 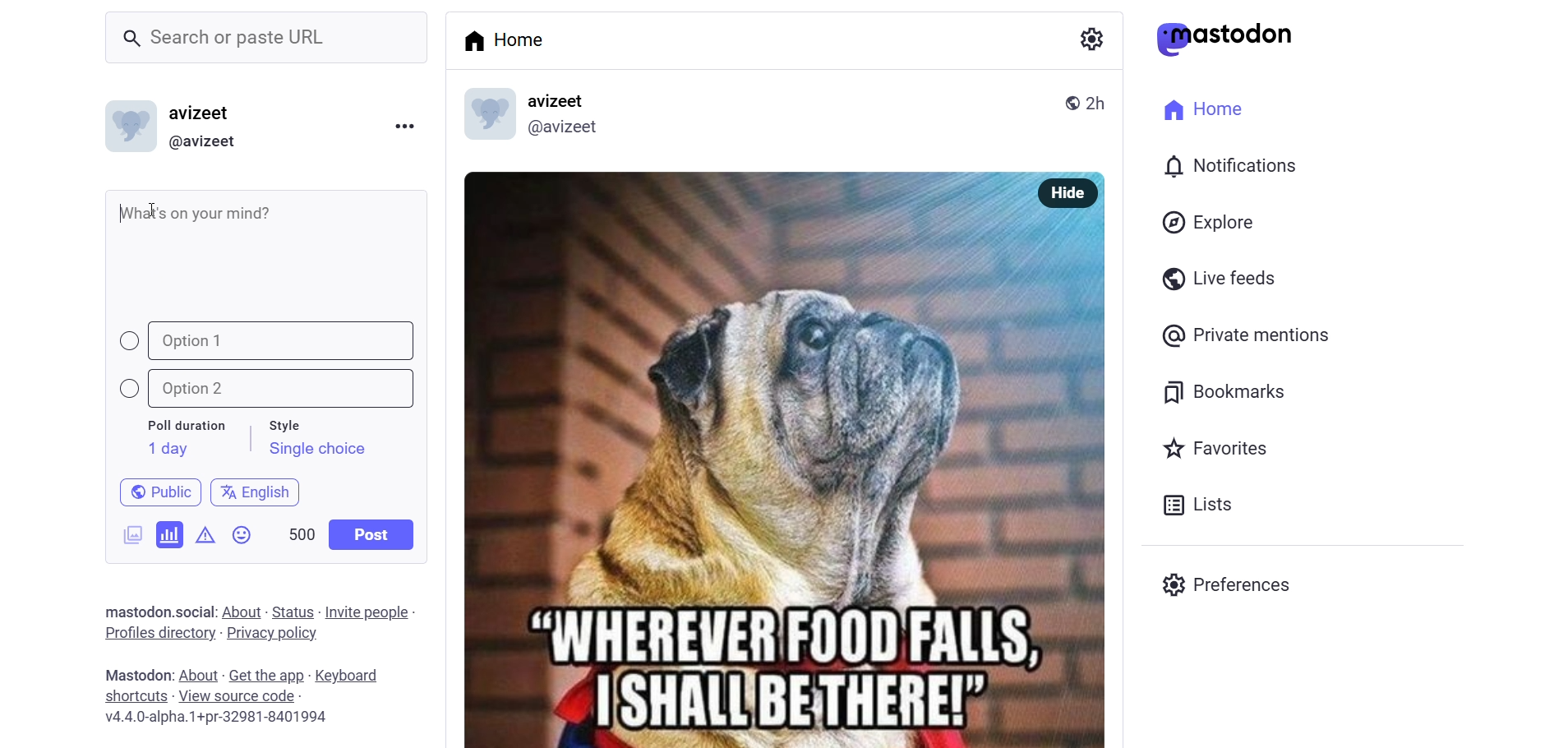 What do you see at coordinates (240, 612) in the screenshot?
I see `about` at bounding box center [240, 612].